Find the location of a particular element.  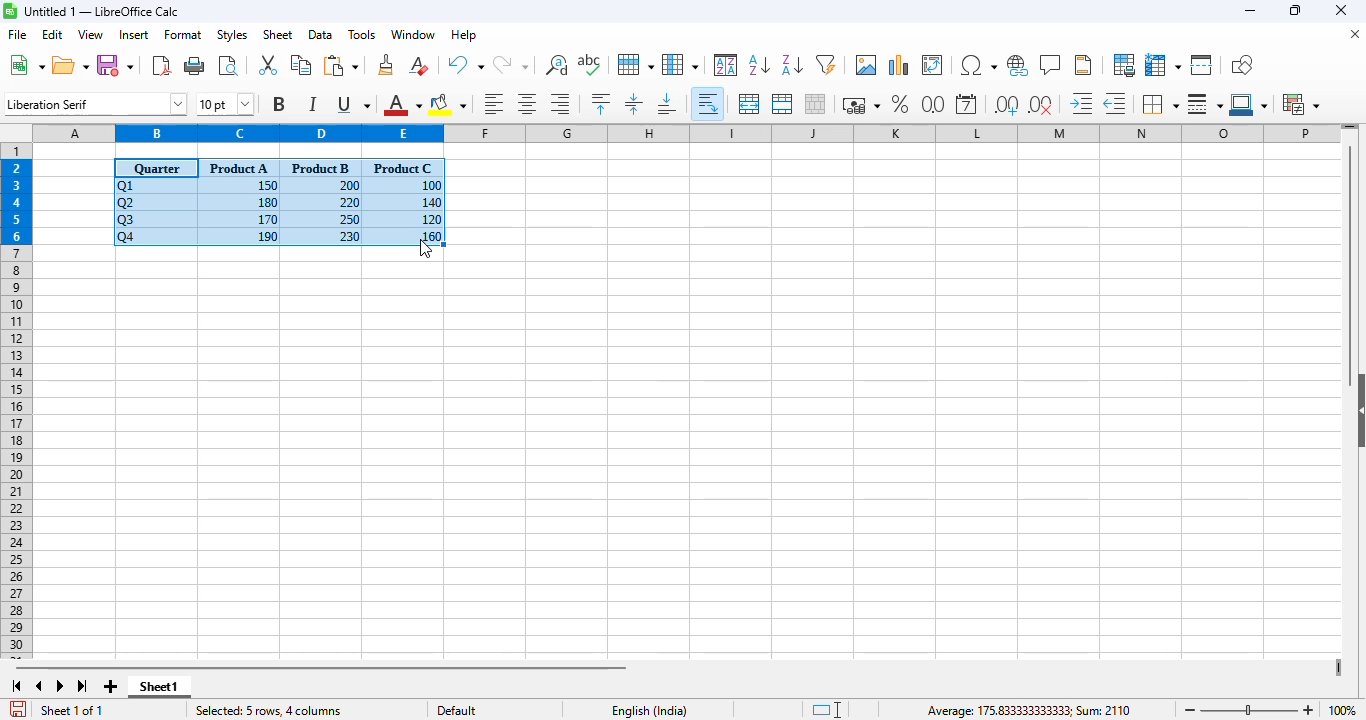

scroll to next sheet is located at coordinates (60, 686).